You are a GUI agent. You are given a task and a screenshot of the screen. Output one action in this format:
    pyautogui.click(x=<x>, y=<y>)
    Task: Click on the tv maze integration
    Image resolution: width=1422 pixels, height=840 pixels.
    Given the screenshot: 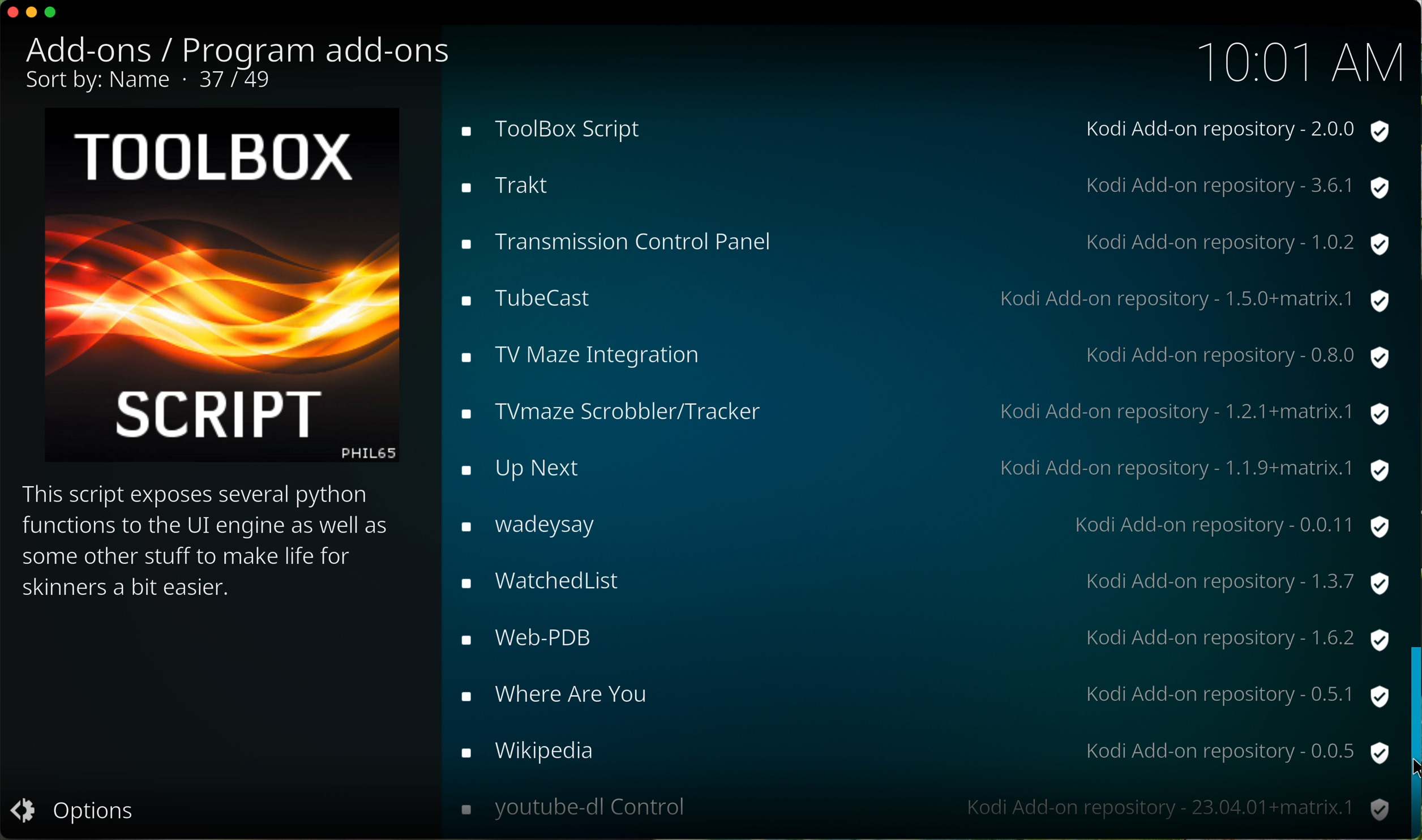 What is the action you would take?
    pyautogui.click(x=918, y=354)
    